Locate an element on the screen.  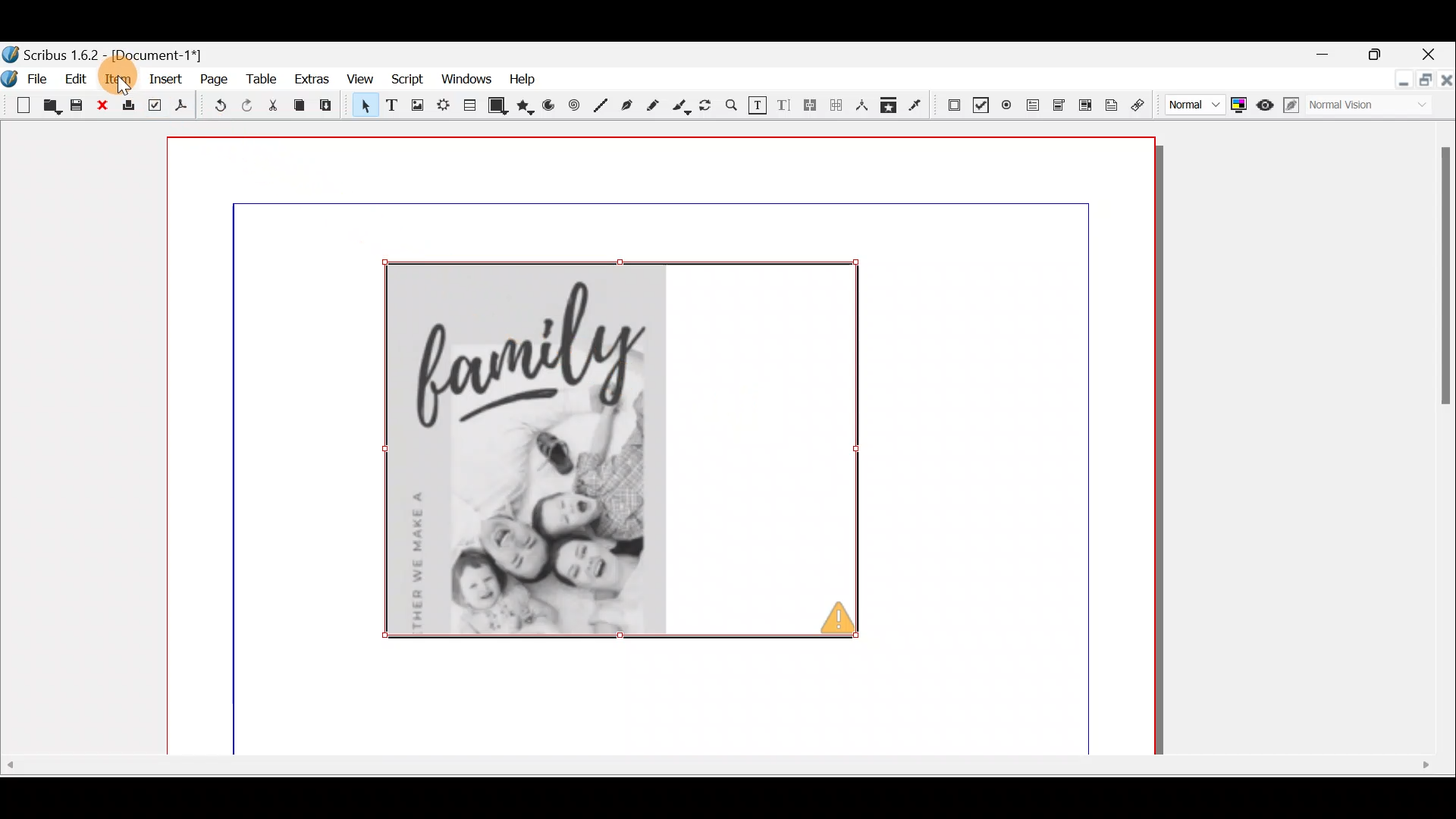
Edit in preview mode is located at coordinates (1294, 108).